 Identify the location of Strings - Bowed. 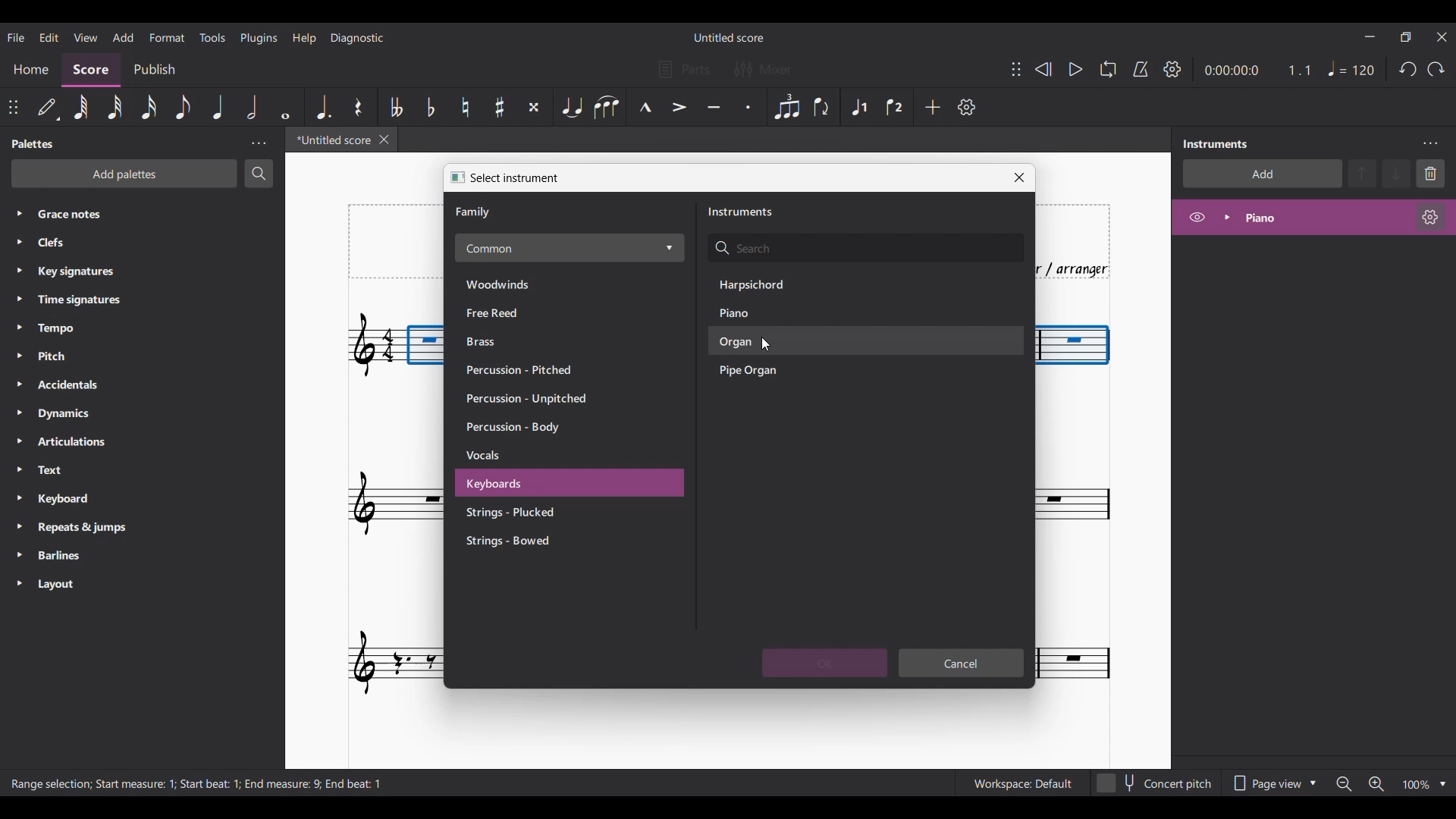
(530, 541).